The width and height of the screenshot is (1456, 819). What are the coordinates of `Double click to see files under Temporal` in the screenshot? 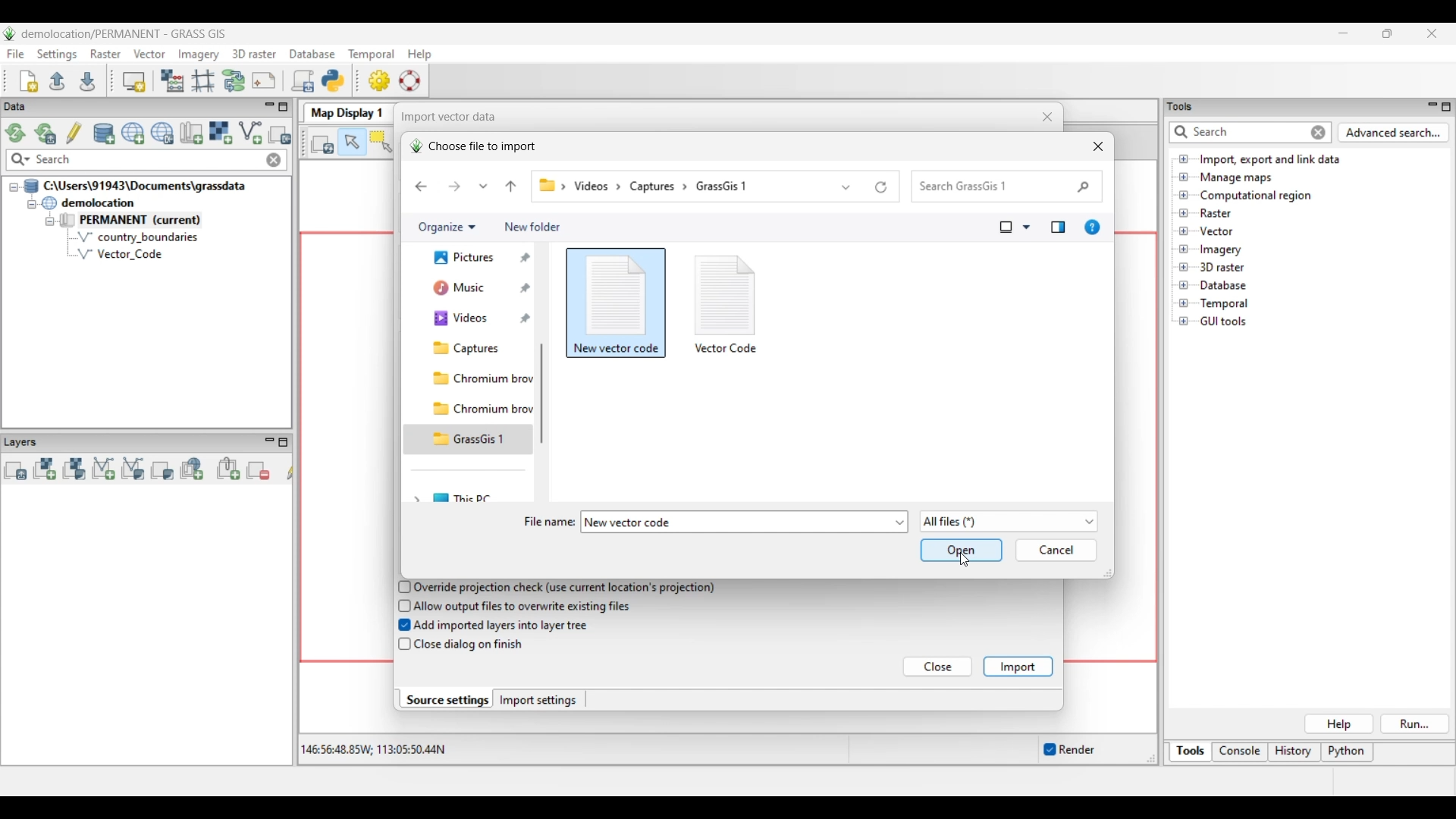 It's located at (1224, 304).